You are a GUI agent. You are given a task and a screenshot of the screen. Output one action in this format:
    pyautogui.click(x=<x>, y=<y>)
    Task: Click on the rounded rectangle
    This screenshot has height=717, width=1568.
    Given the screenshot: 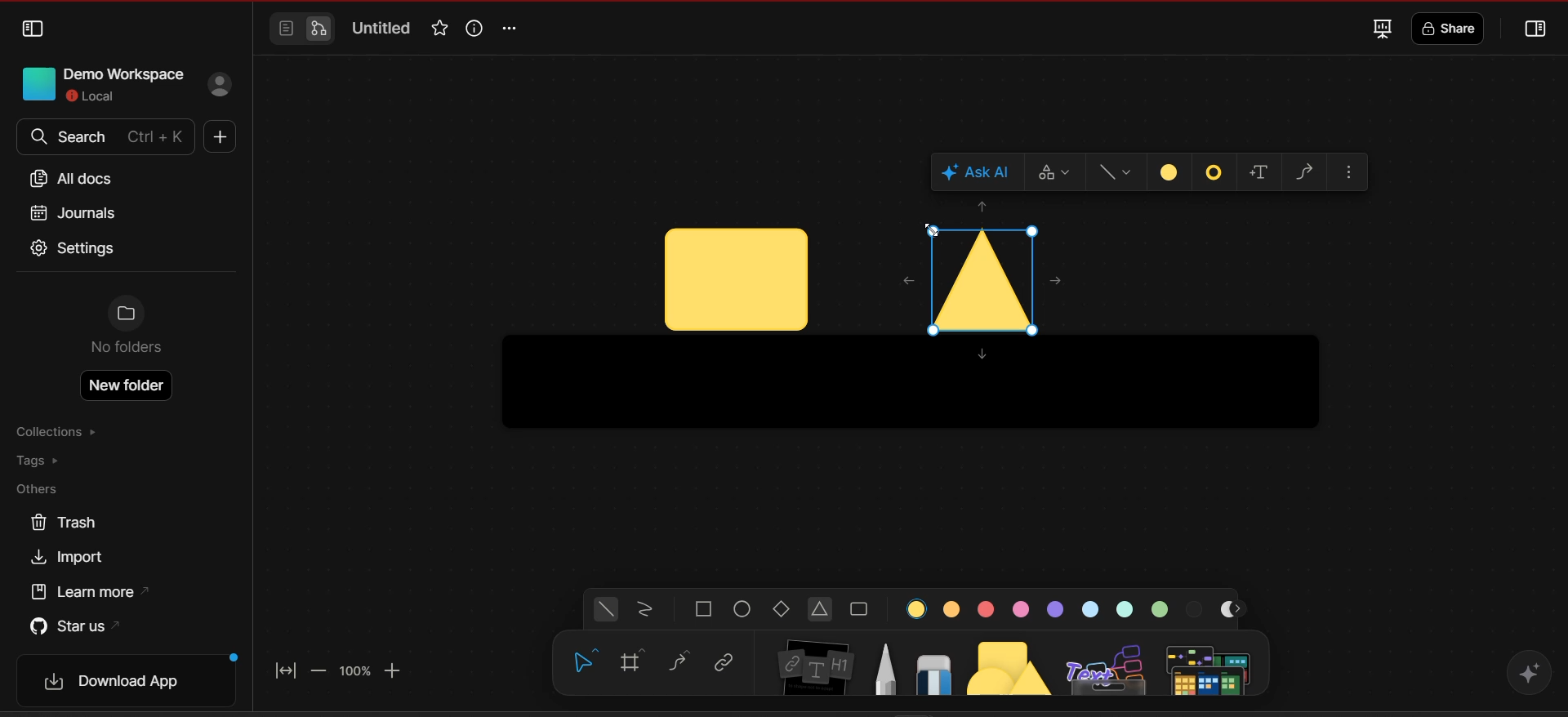 What is the action you would take?
    pyautogui.click(x=859, y=610)
    